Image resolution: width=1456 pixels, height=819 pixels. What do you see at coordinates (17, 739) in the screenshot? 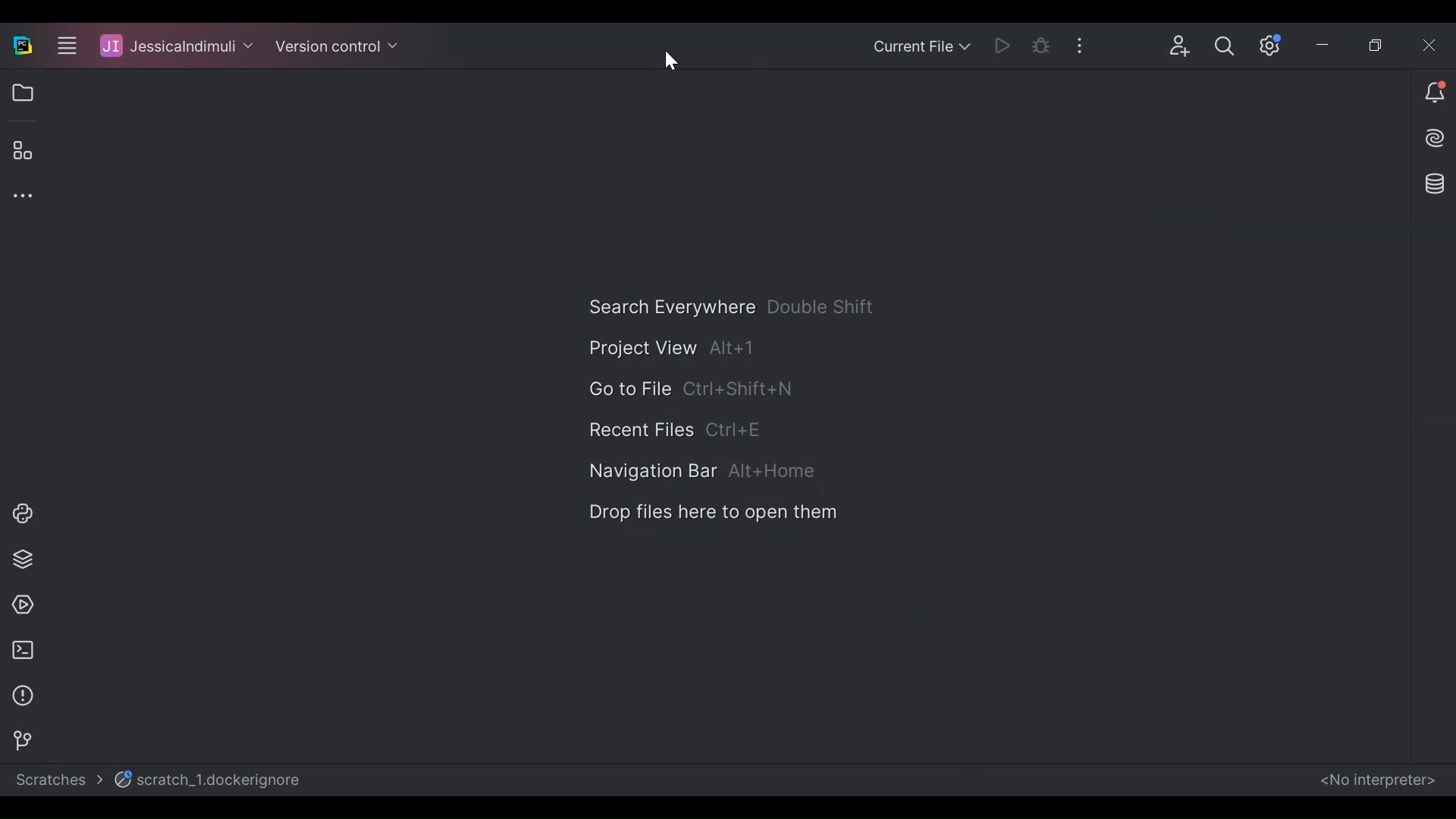
I see `Version Control` at bounding box center [17, 739].